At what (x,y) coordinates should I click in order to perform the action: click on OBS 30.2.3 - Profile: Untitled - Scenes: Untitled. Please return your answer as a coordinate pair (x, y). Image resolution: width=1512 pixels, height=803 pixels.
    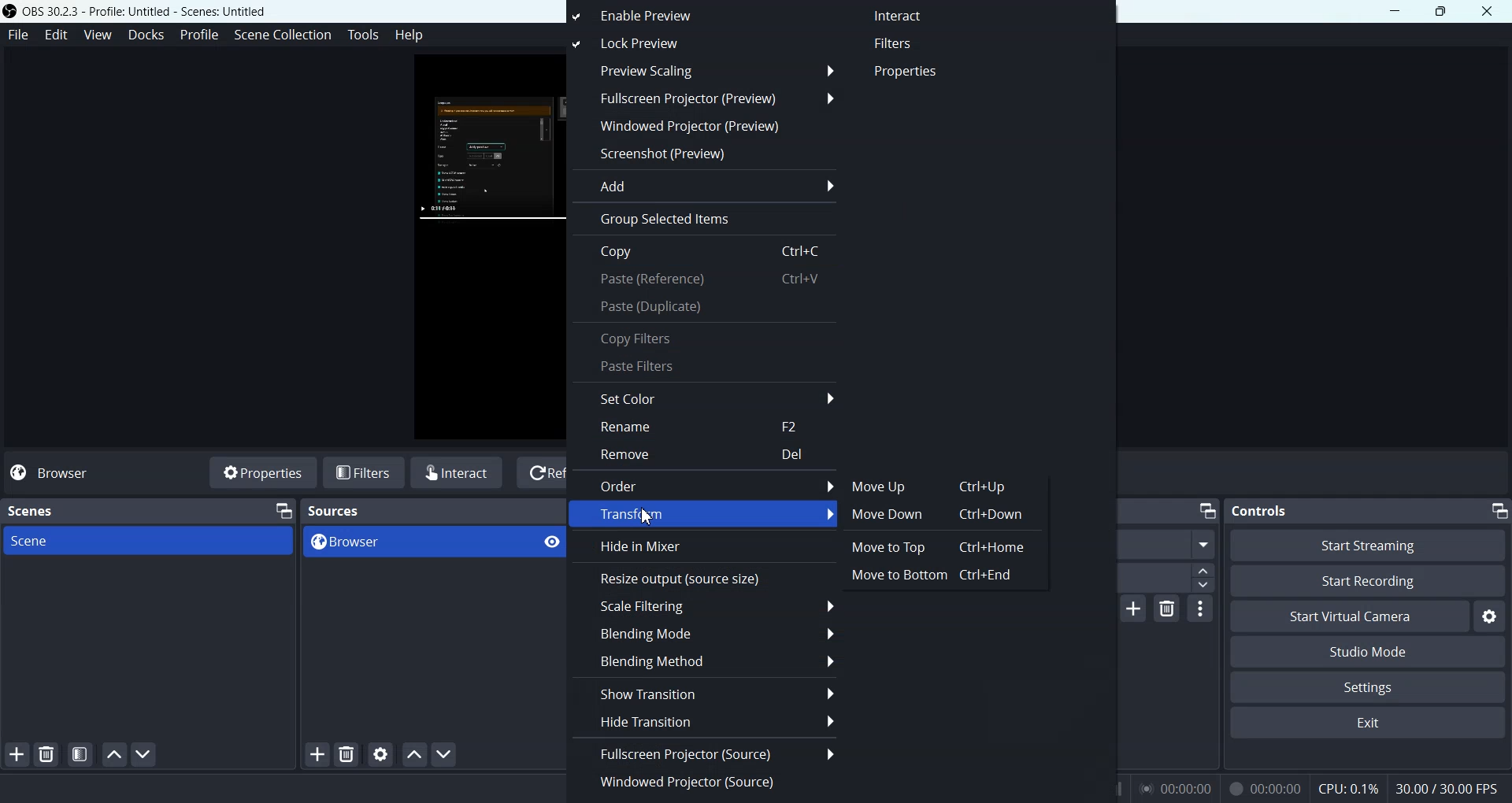
    Looking at the image, I should click on (138, 12).